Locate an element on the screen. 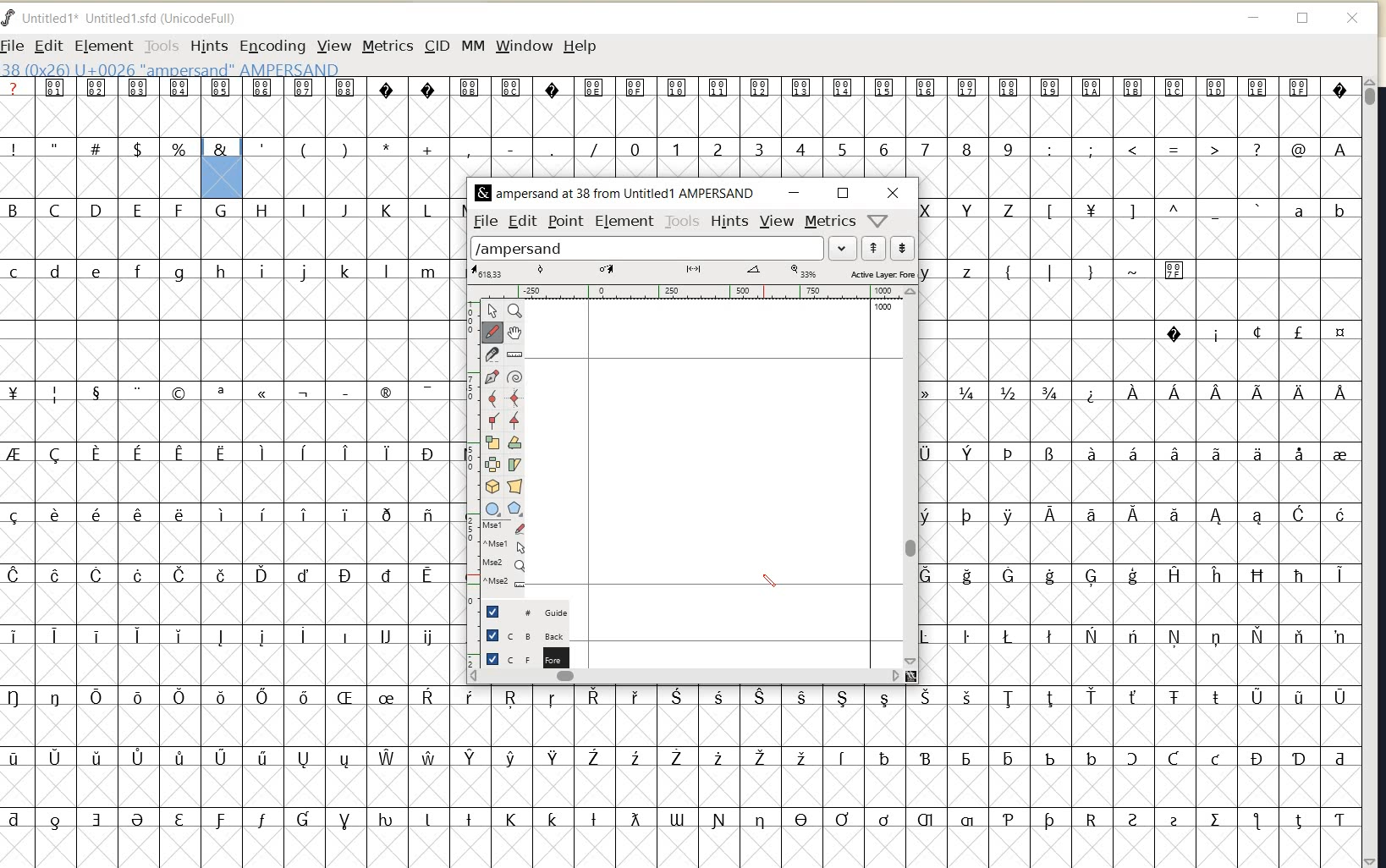 The width and height of the screenshot is (1386, 868). change whether spiro is active or not is located at coordinates (514, 376).